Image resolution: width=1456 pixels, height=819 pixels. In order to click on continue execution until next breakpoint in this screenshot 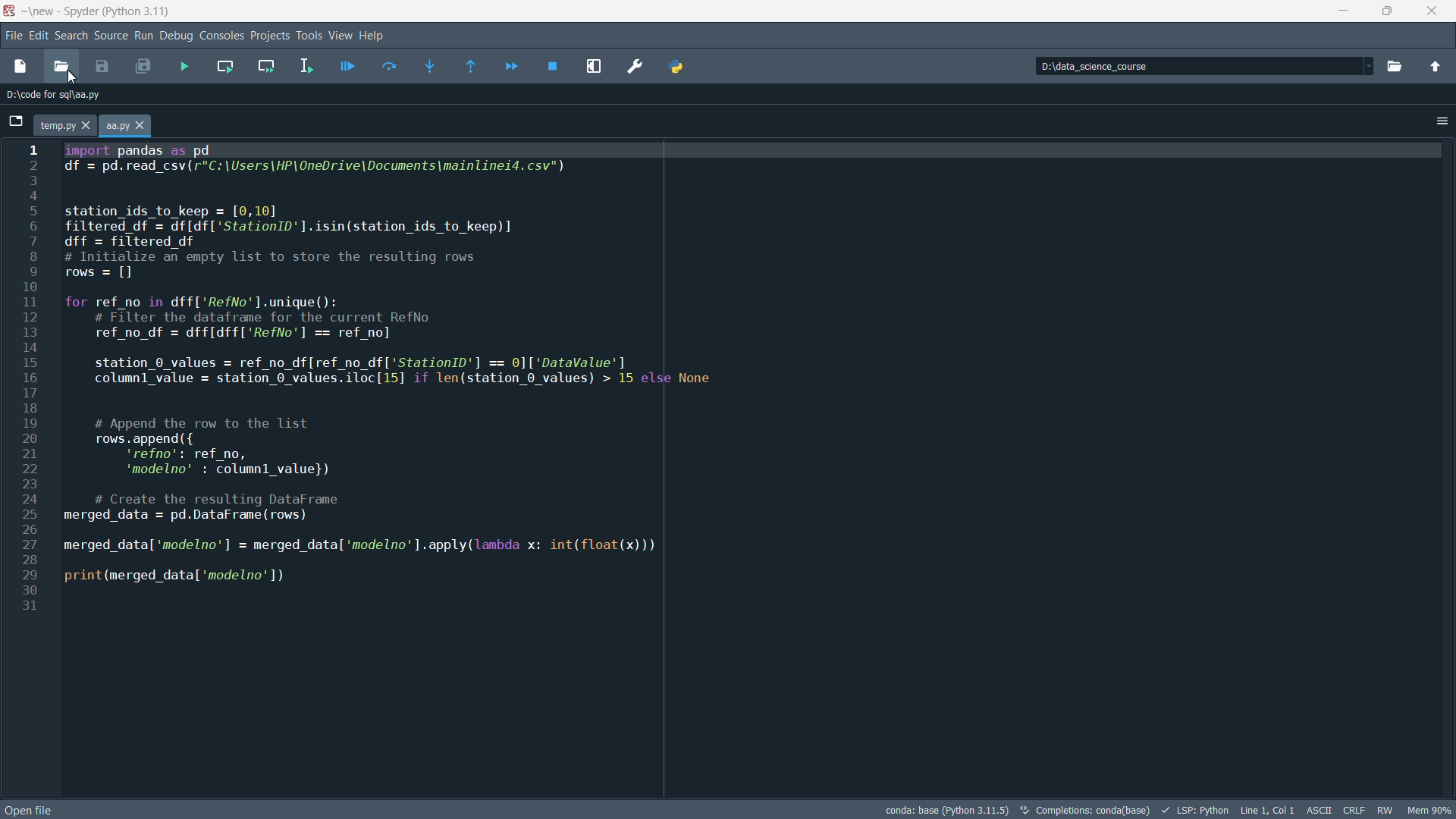, I will do `click(509, 65)`.